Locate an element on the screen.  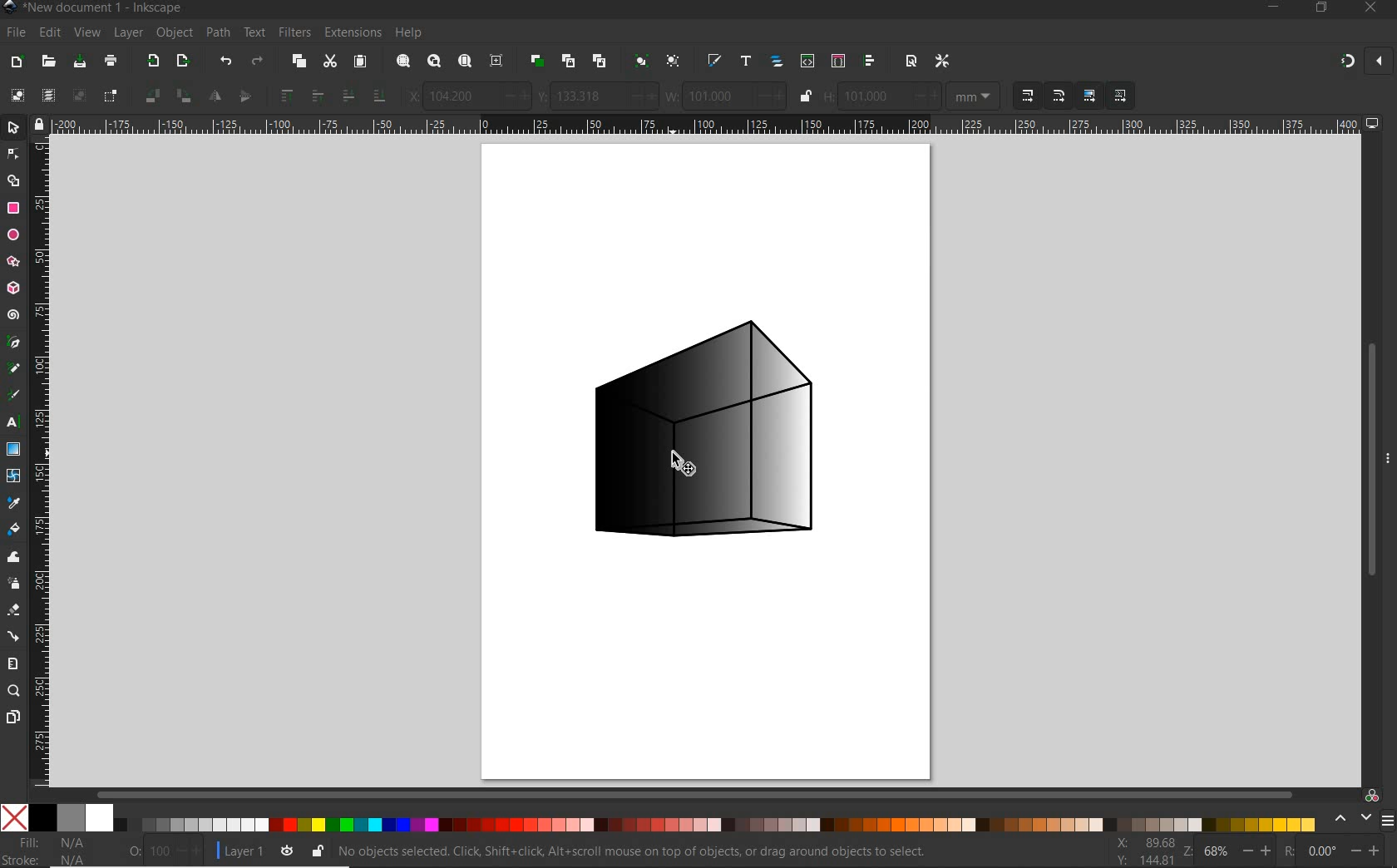
ZOOM TOOL is located at coordinates (15, 690).